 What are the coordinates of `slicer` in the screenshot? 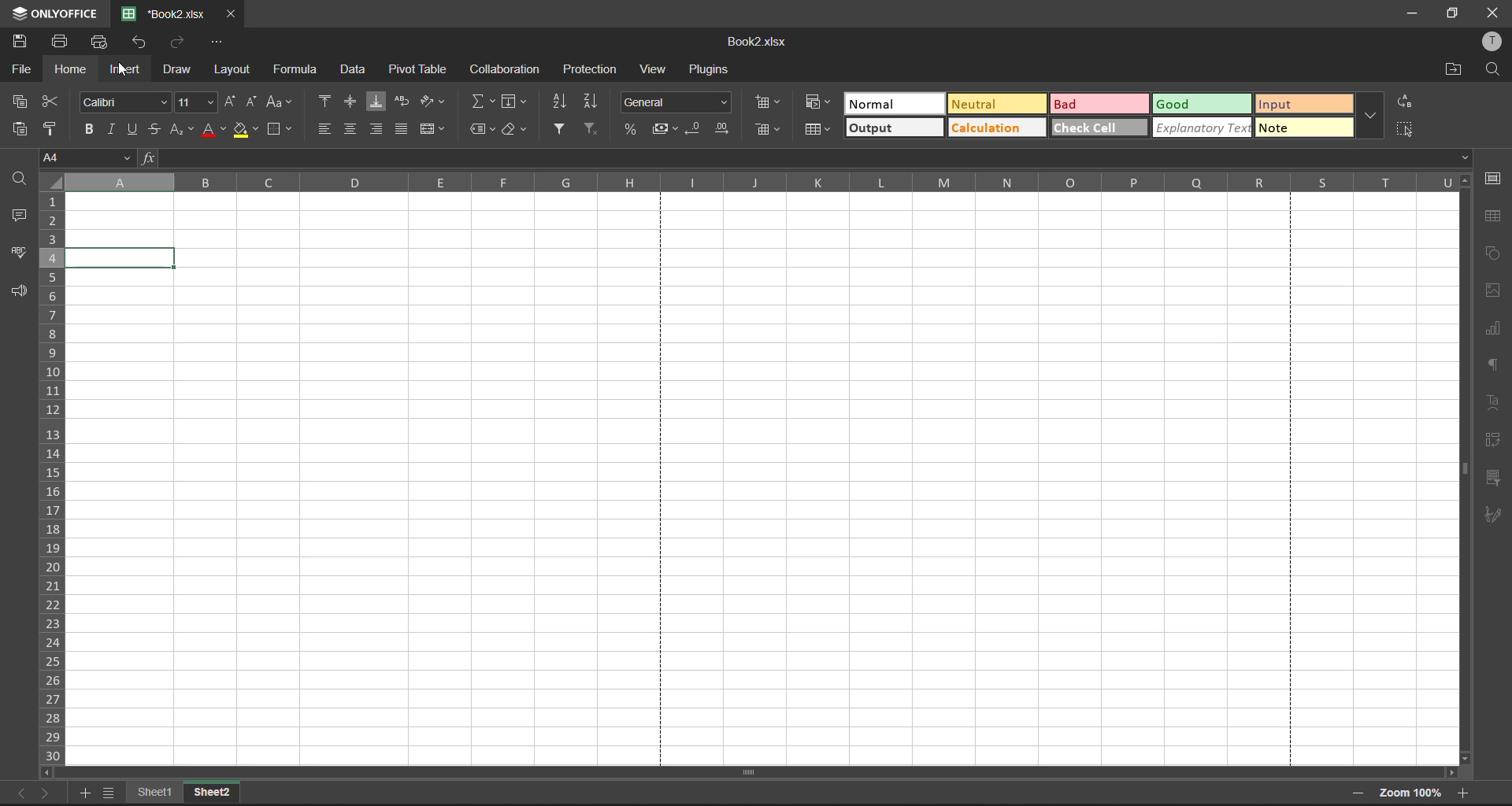 It's located at (1491, 477).